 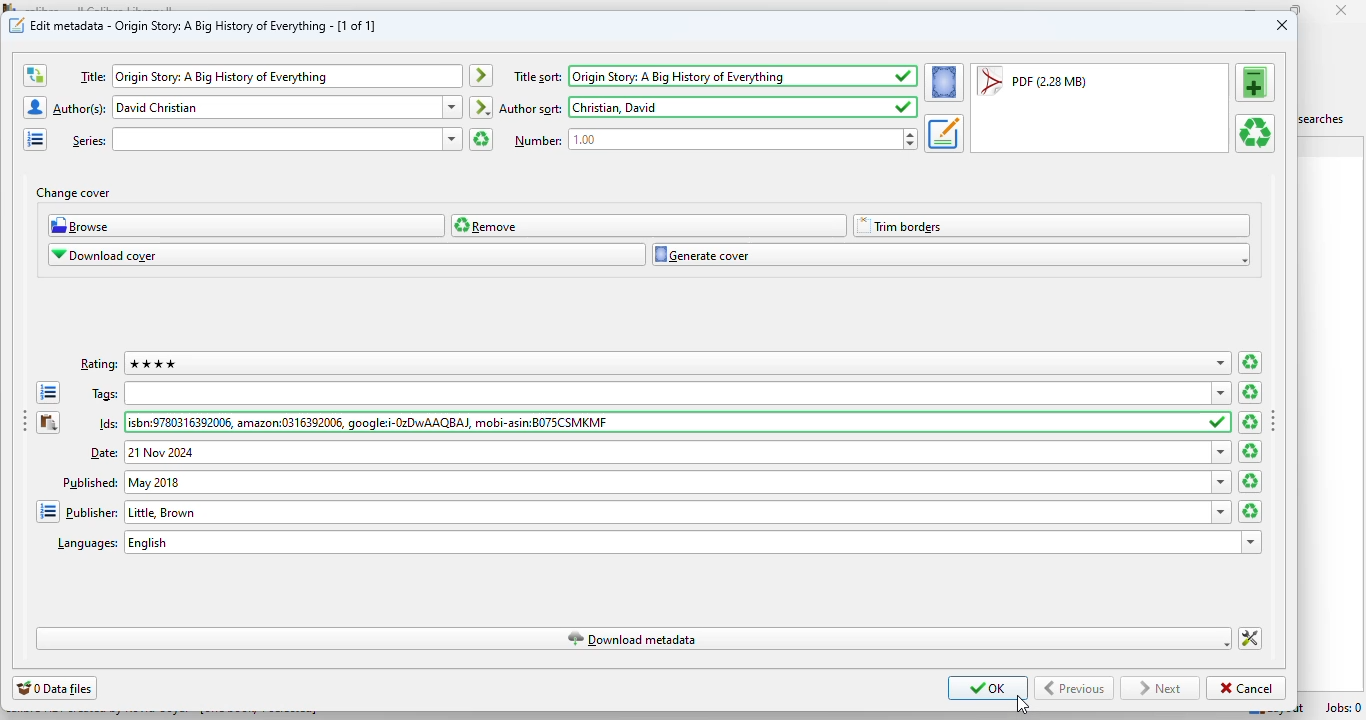 I want to click on OK, so click(x=988, y=687).